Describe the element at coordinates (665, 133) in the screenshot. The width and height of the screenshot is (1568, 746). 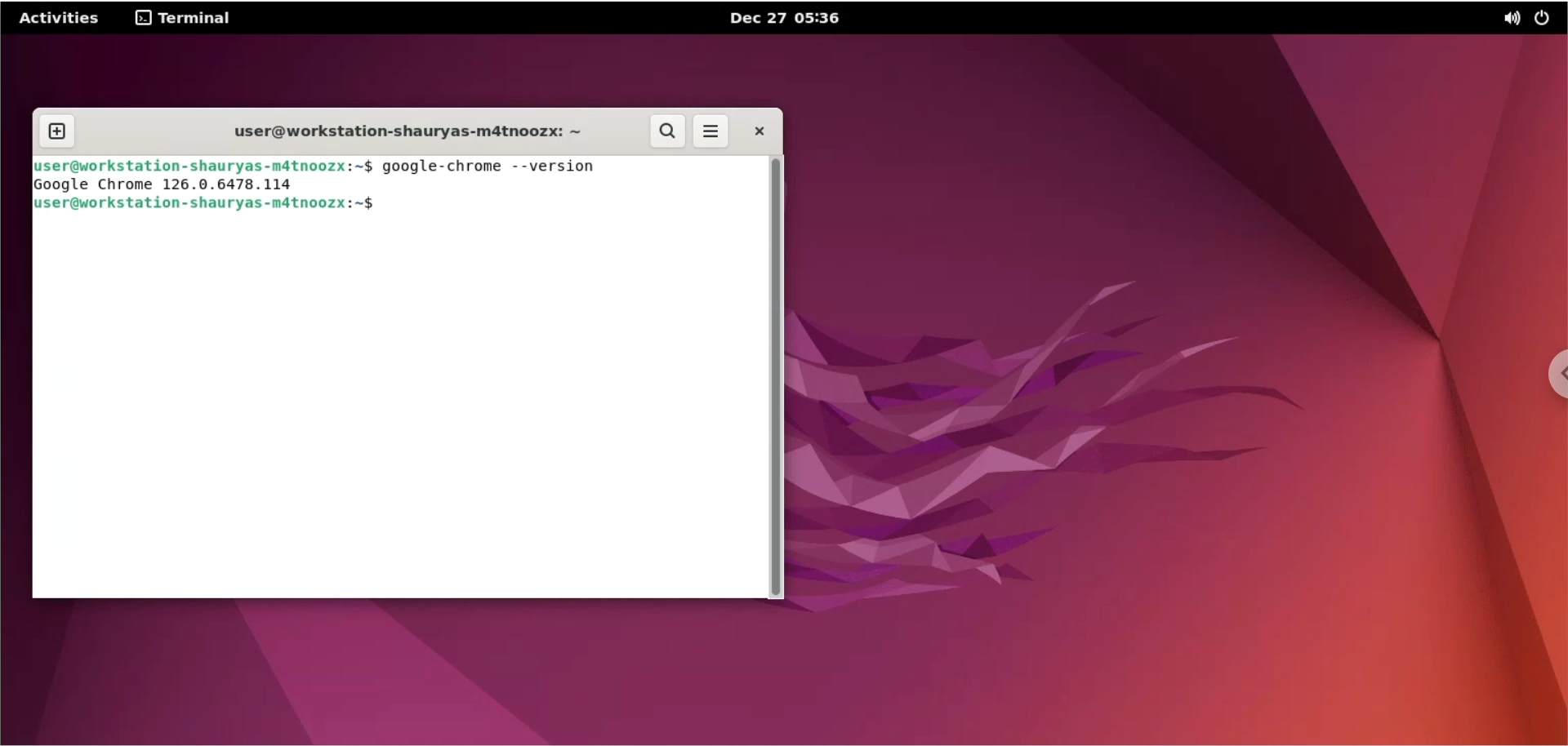
I see `search button` at that location.